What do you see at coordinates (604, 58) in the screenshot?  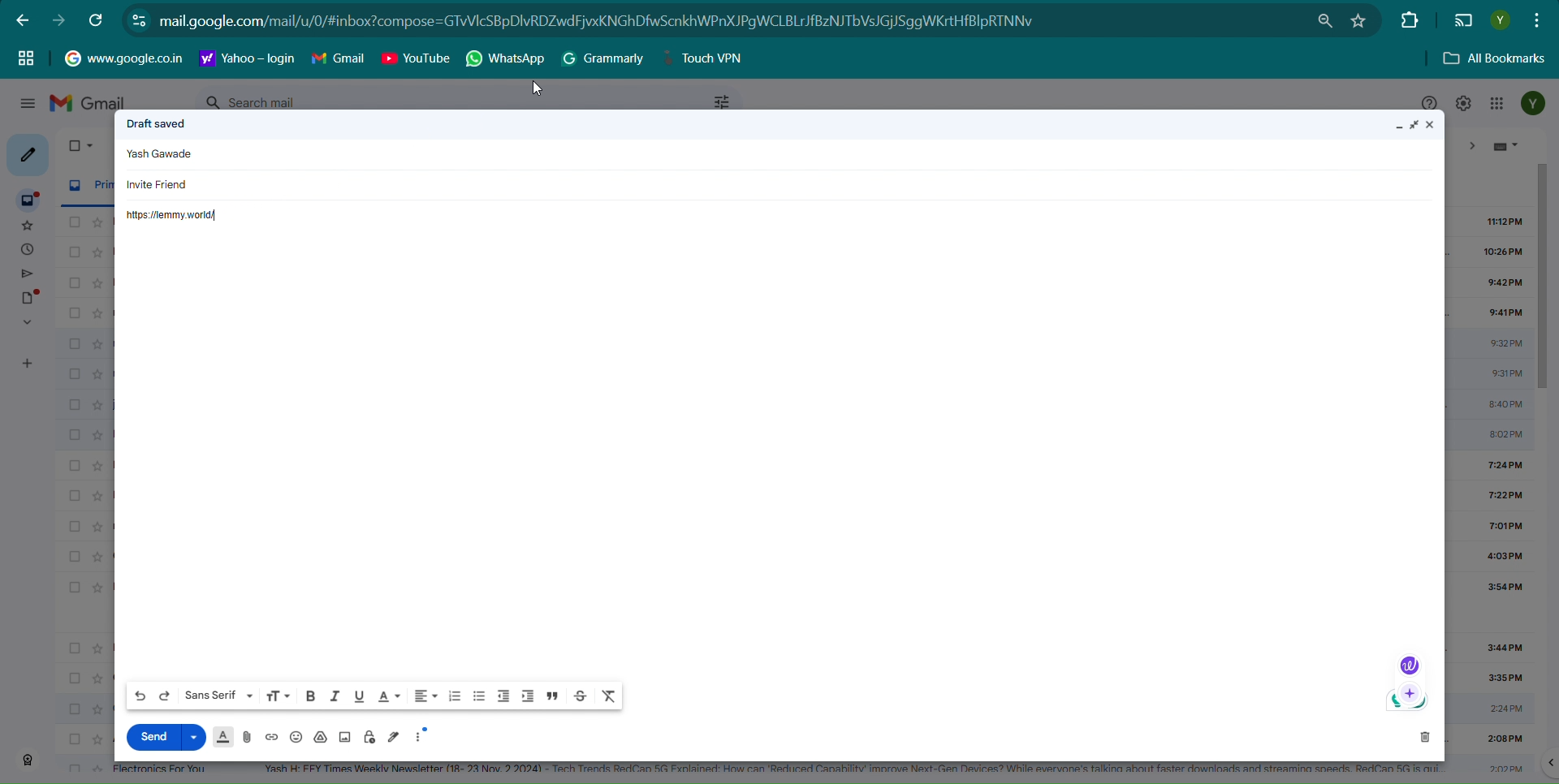 I see `Grammarly` at bounding box center [604, 58].